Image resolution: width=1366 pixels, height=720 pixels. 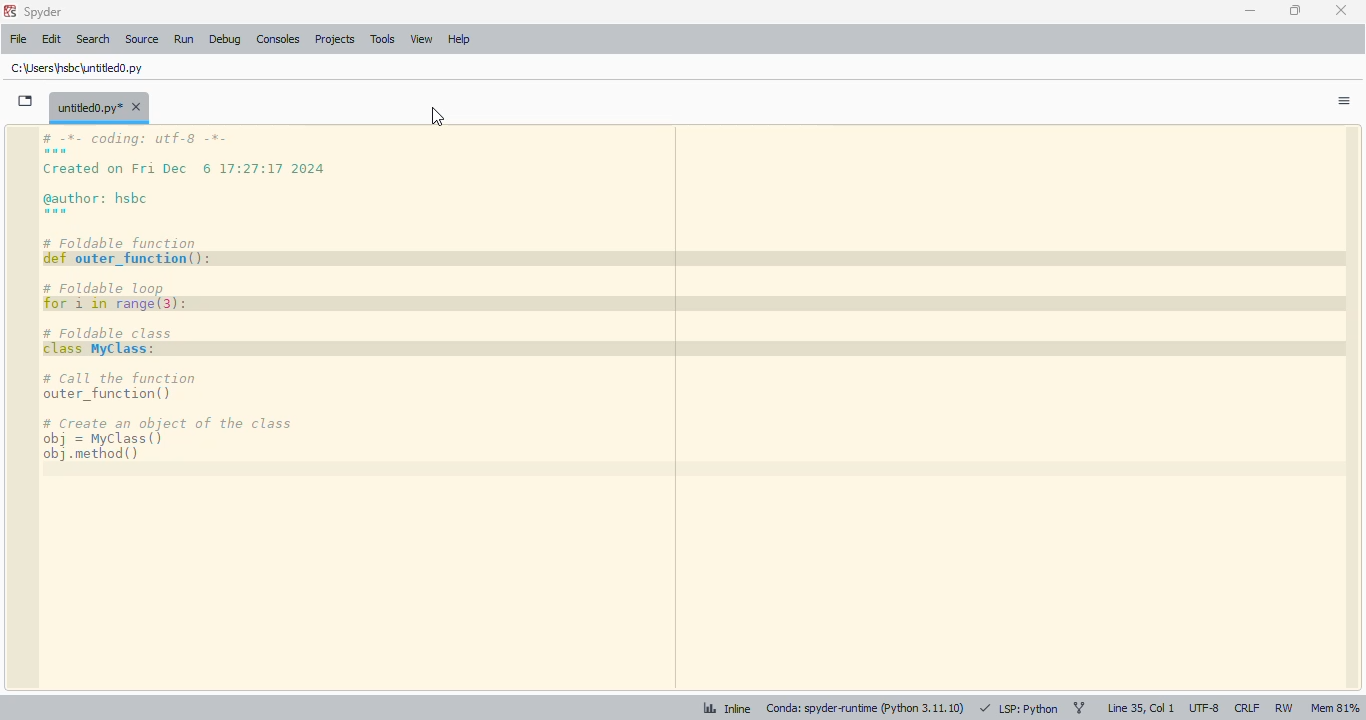 What do you see at coordinates (51, 39) in the screenshot?
I see `edit` at bounding box center [51, 39].